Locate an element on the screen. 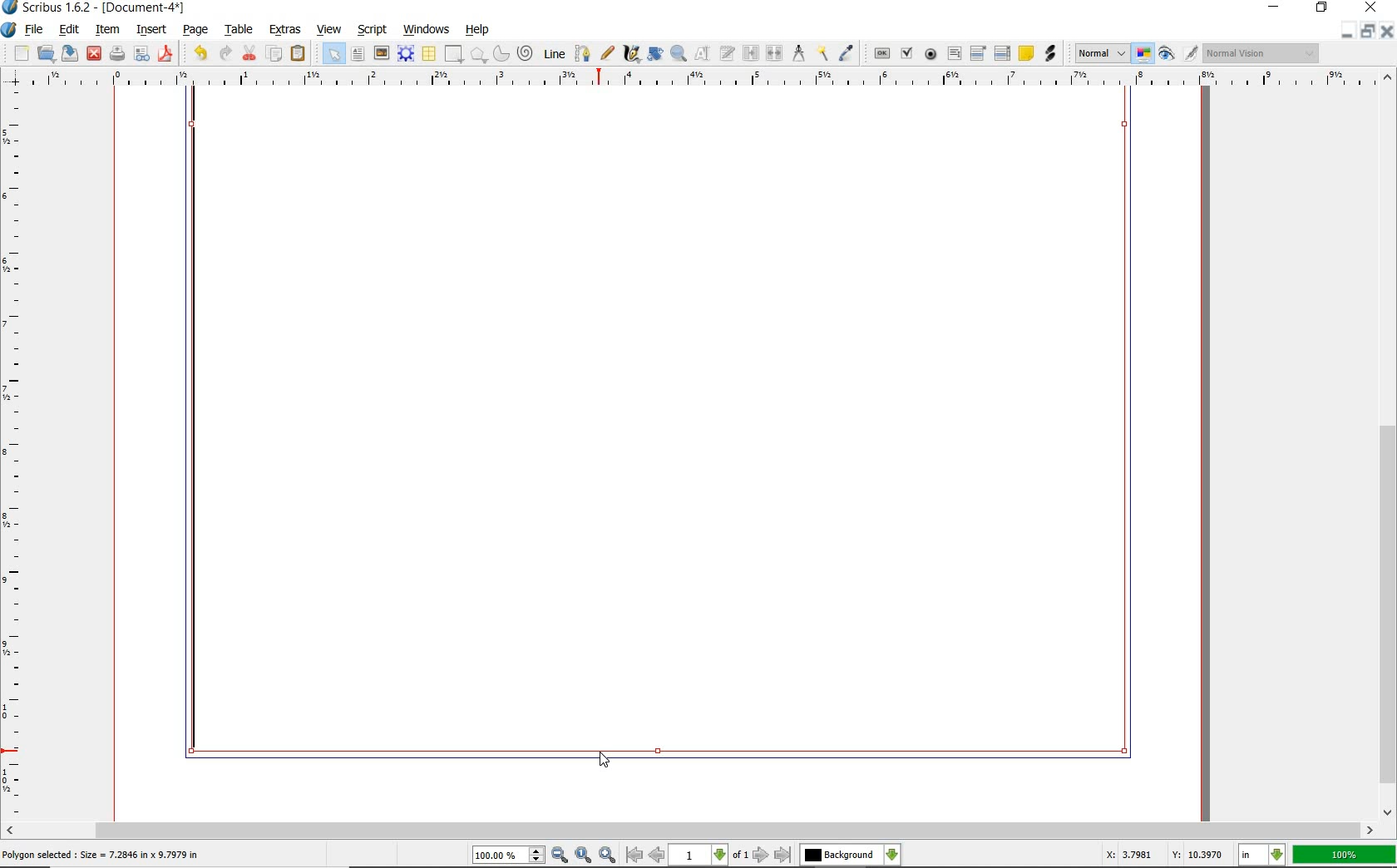 The image size is (1397, 868). pdf combo box is located at coordinates (977, 52).